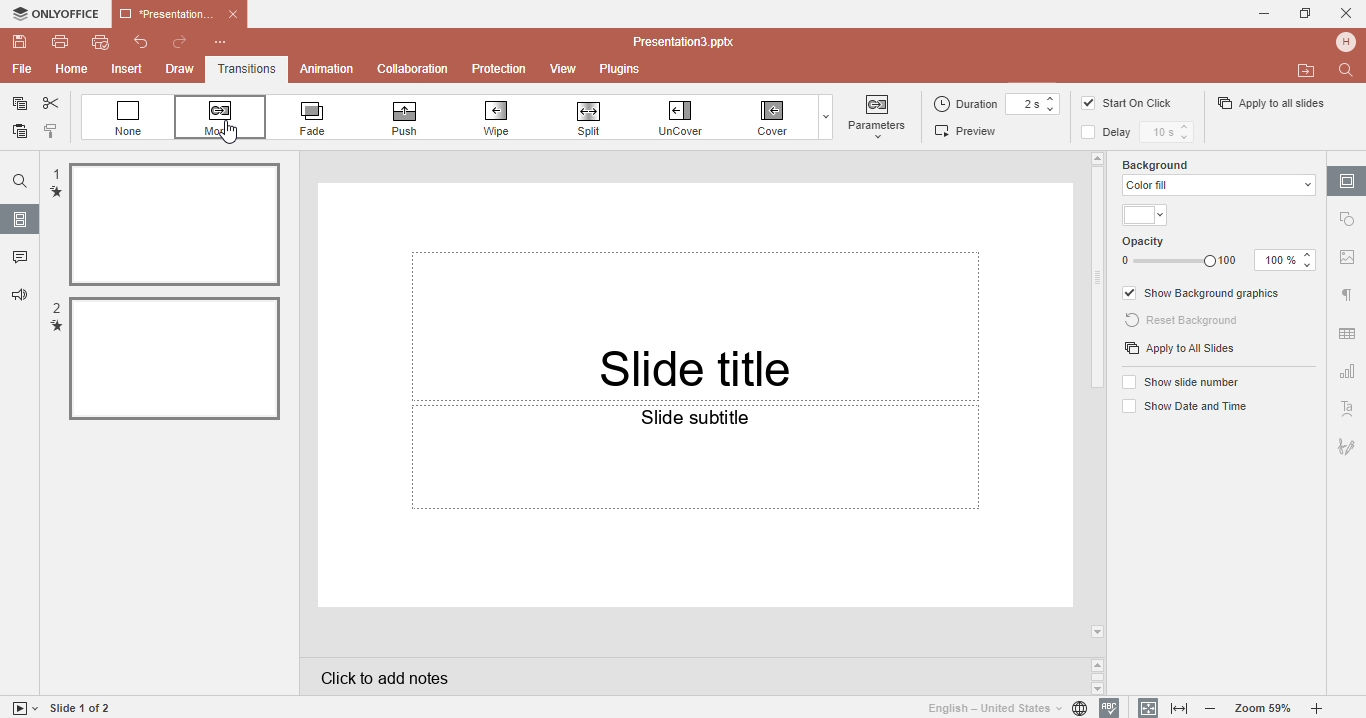 This screenshot has height=718, width=1366. What do you see at coordinates (52, 133) in the screenshot?
I see `Copy style` at bounding box center [52, 133].